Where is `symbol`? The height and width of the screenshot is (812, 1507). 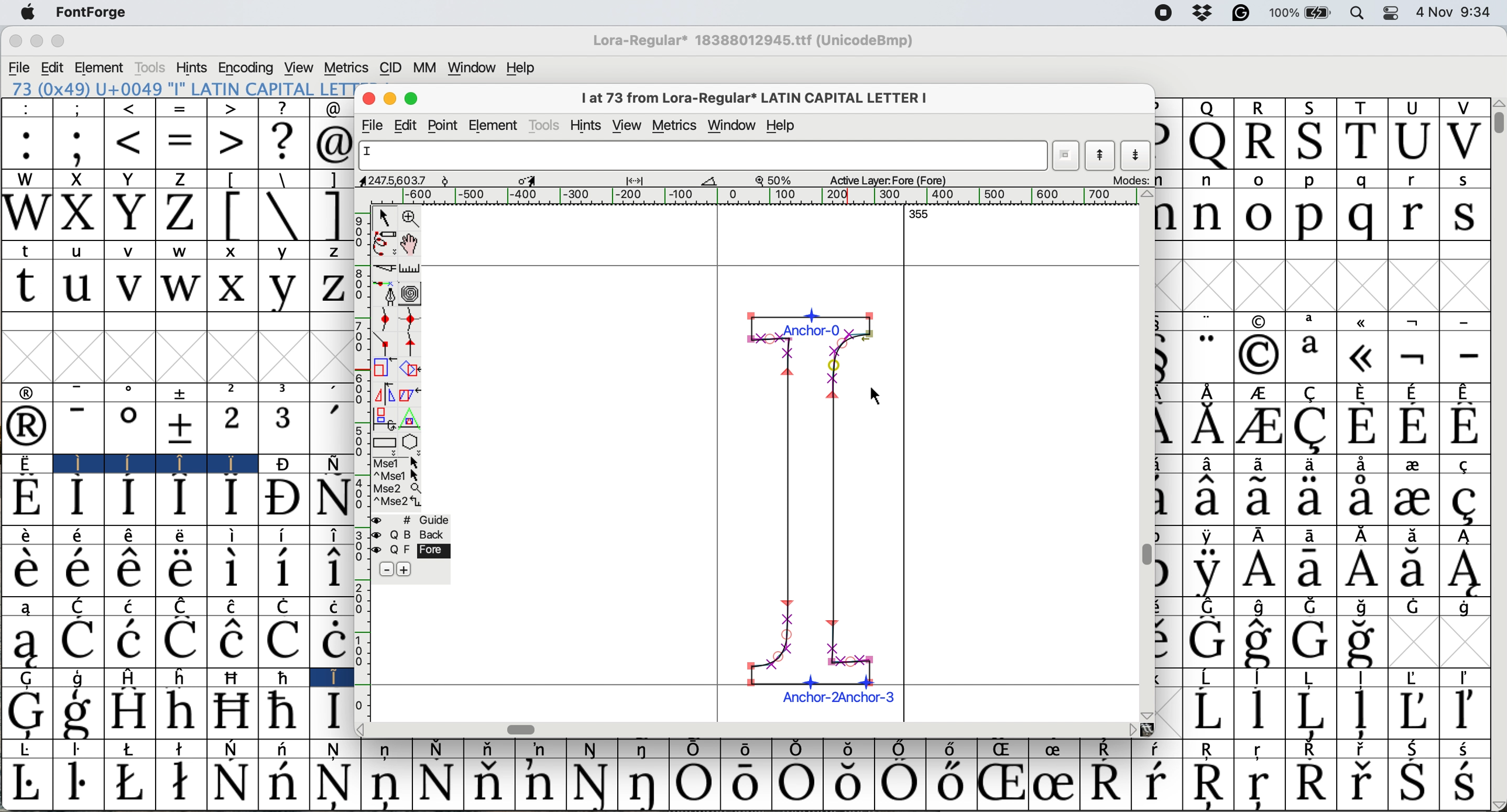
symbol is located at coordinates (1259, 321).